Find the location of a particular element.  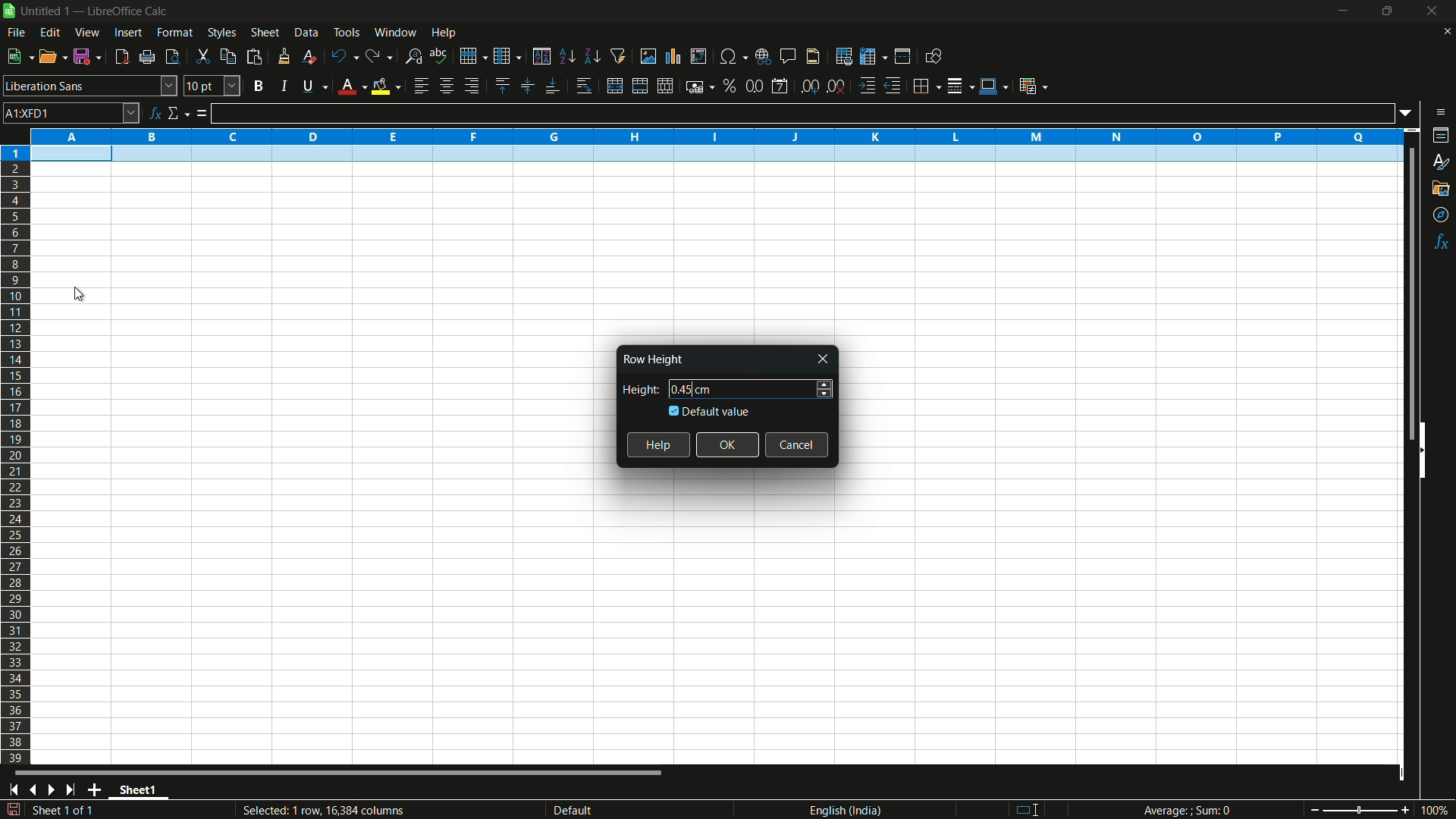

height 0.45 cm is located at coordinates (739, 388).